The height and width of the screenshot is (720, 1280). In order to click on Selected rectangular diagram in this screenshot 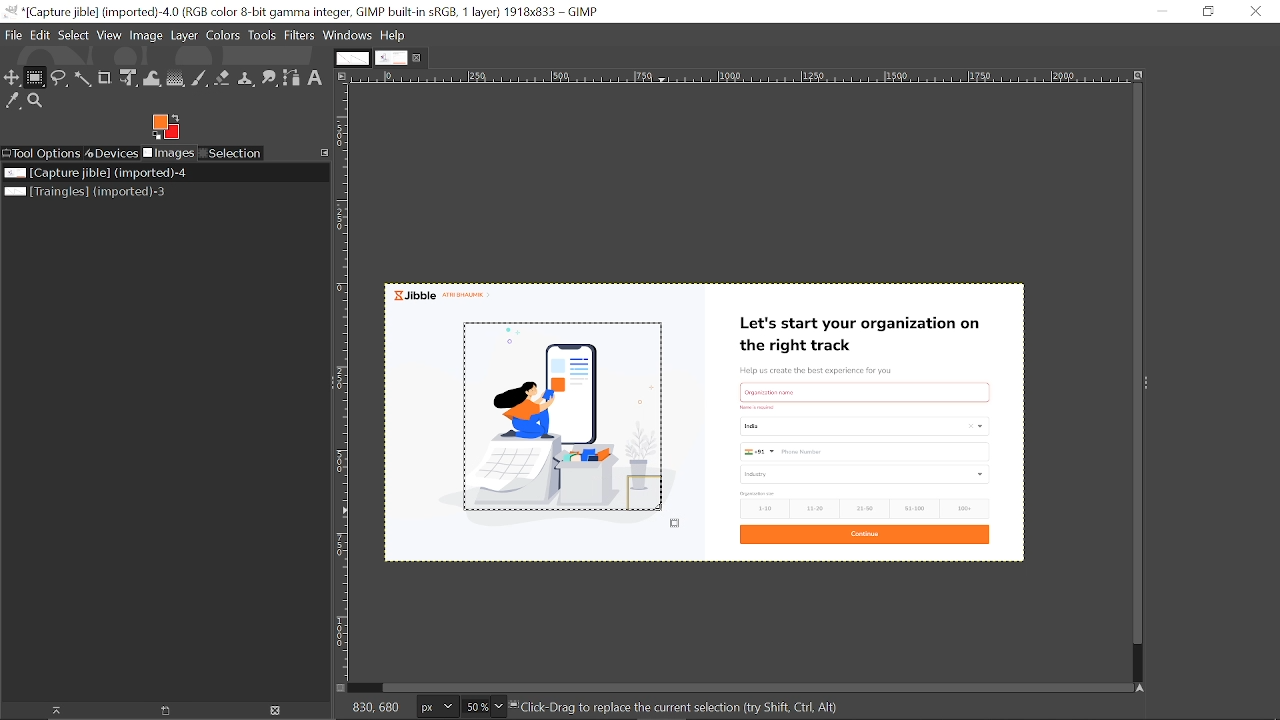, I will do `click(568, 418)`.